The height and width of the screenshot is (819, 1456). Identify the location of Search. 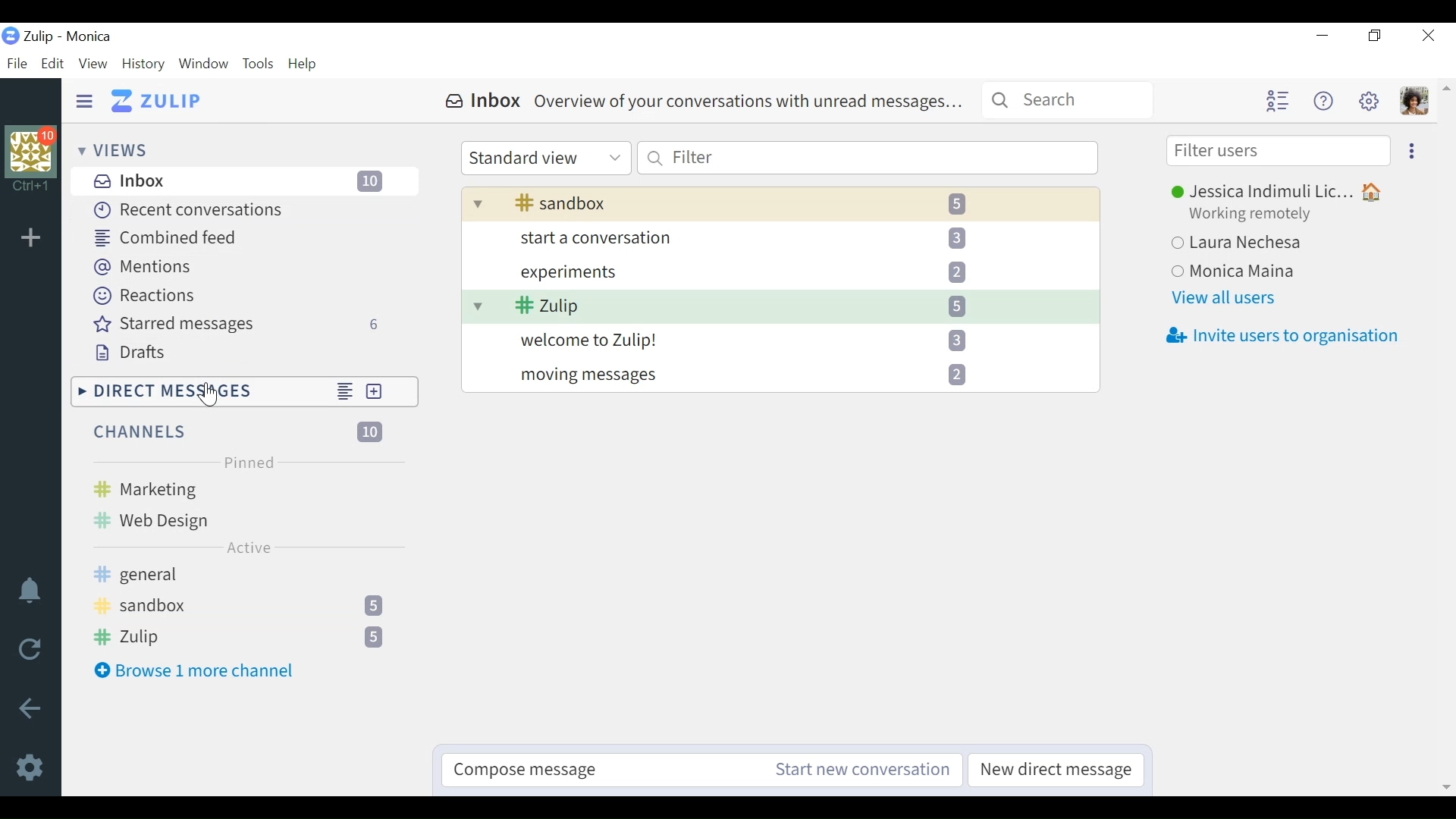
(1068, 101).